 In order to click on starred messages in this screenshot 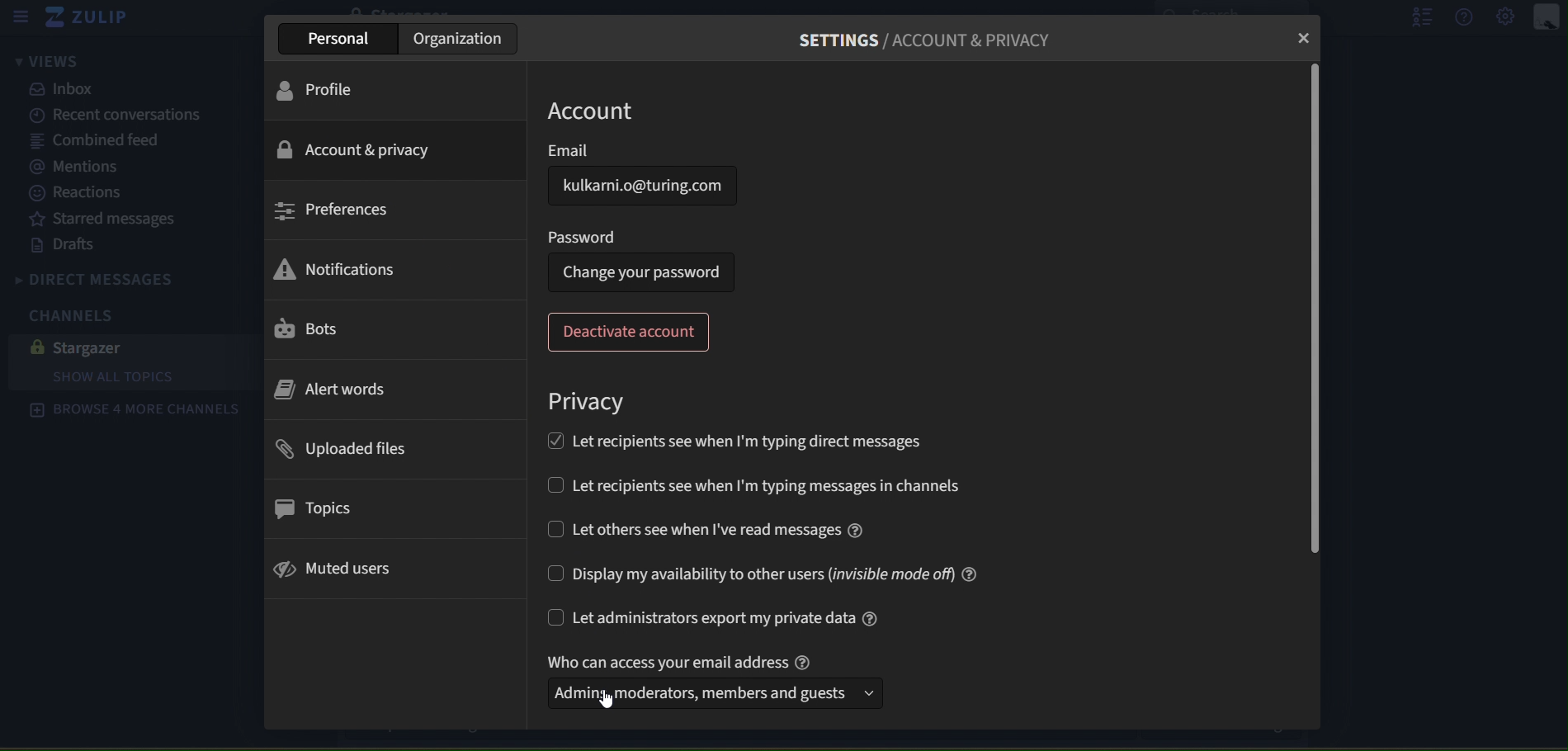, I will do `click(102, 217)`.